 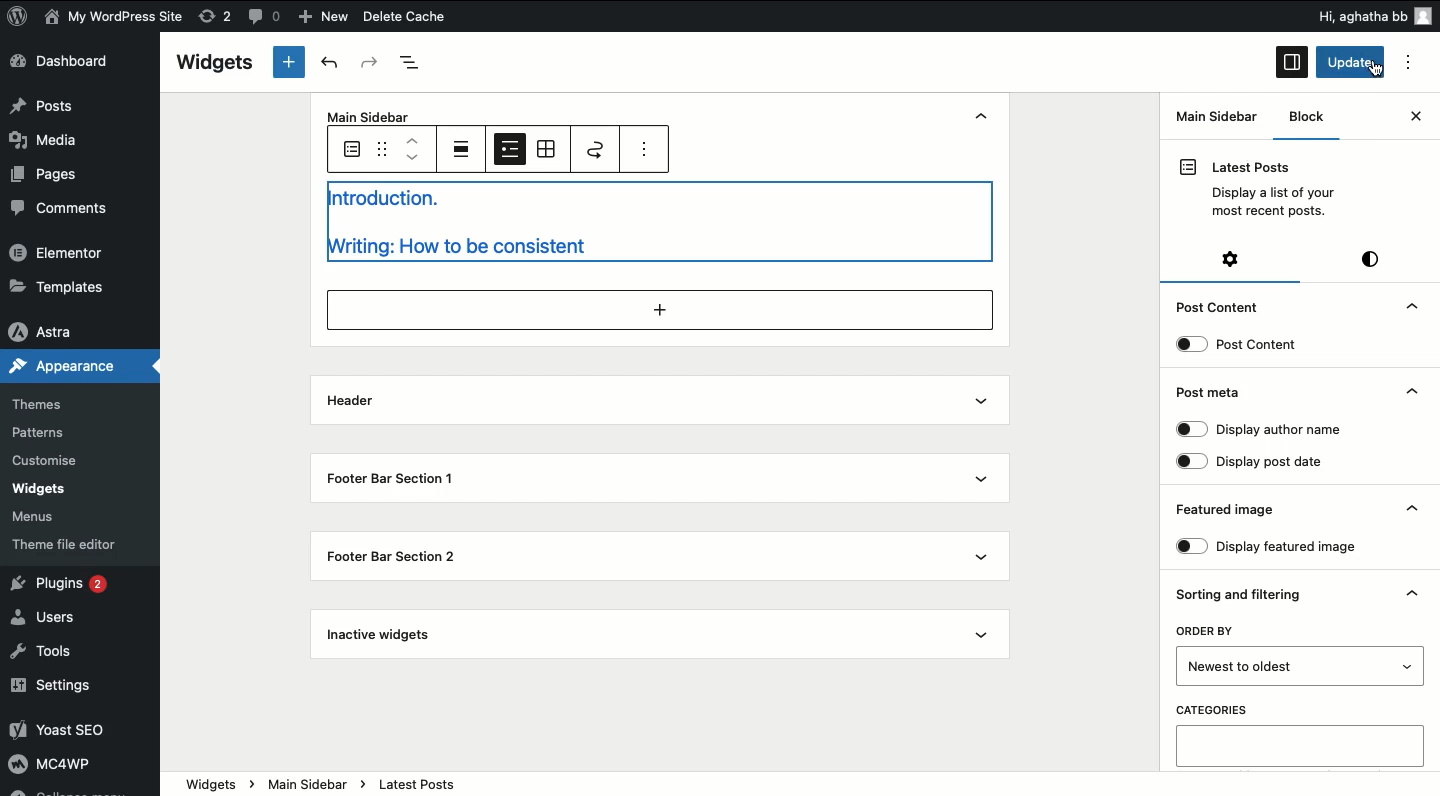 I want to click on Featured image, so click(x=1221, y=512).